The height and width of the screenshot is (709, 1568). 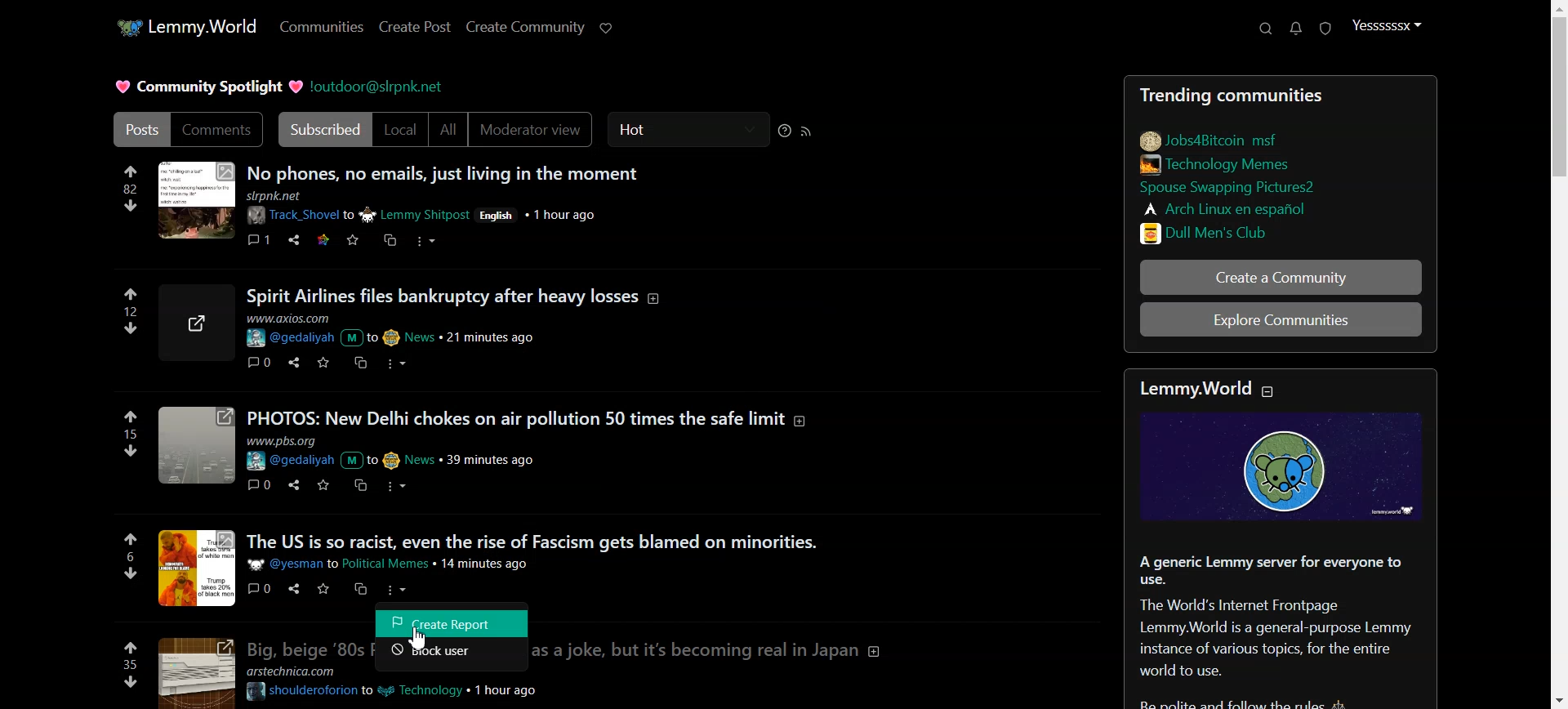 I want to click on save, so click(x=321, y=362).